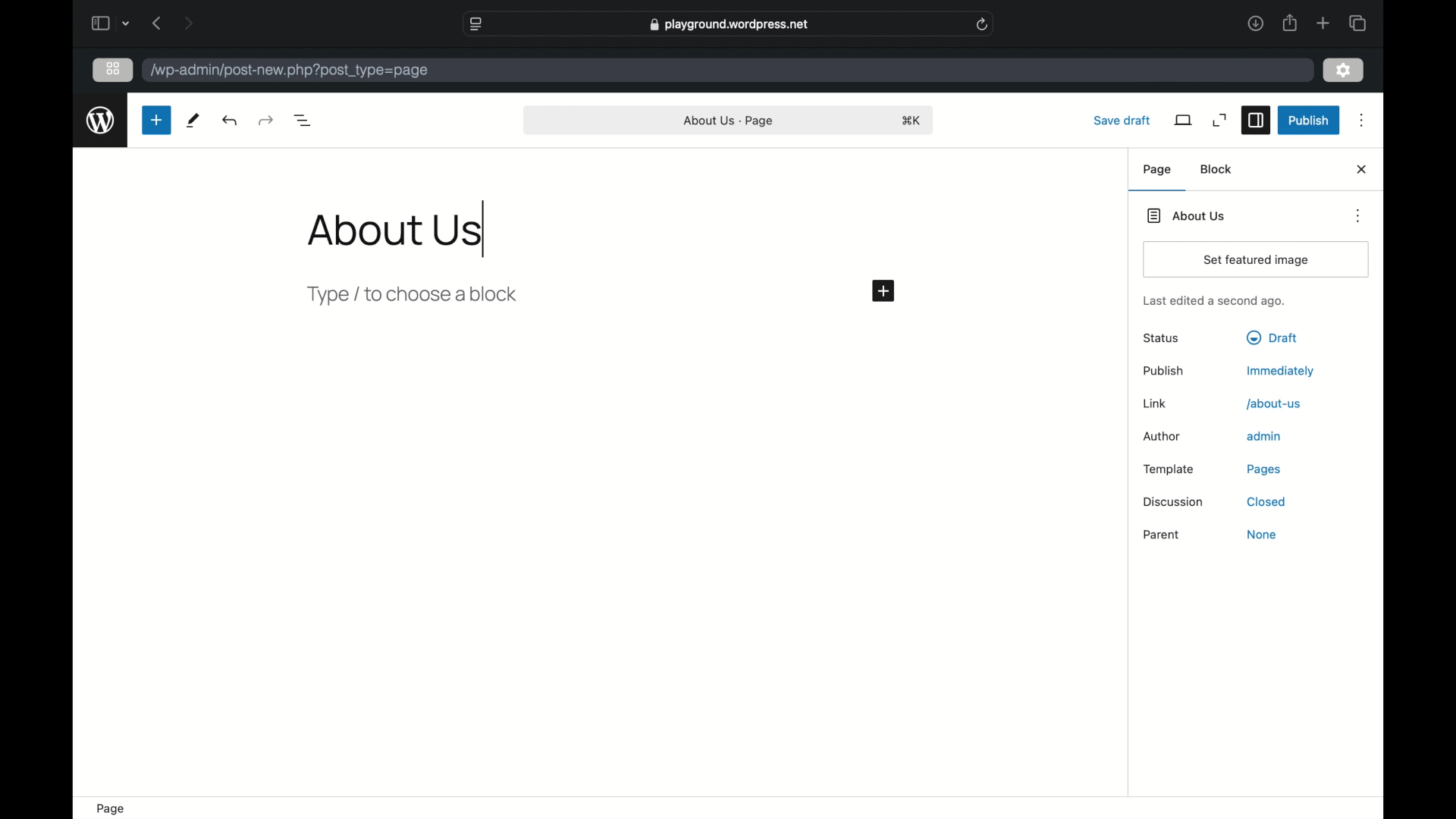 Image resolution: width=1456 pixels, height=819 pixels. I want to click on new tab, so click(1324, 24).